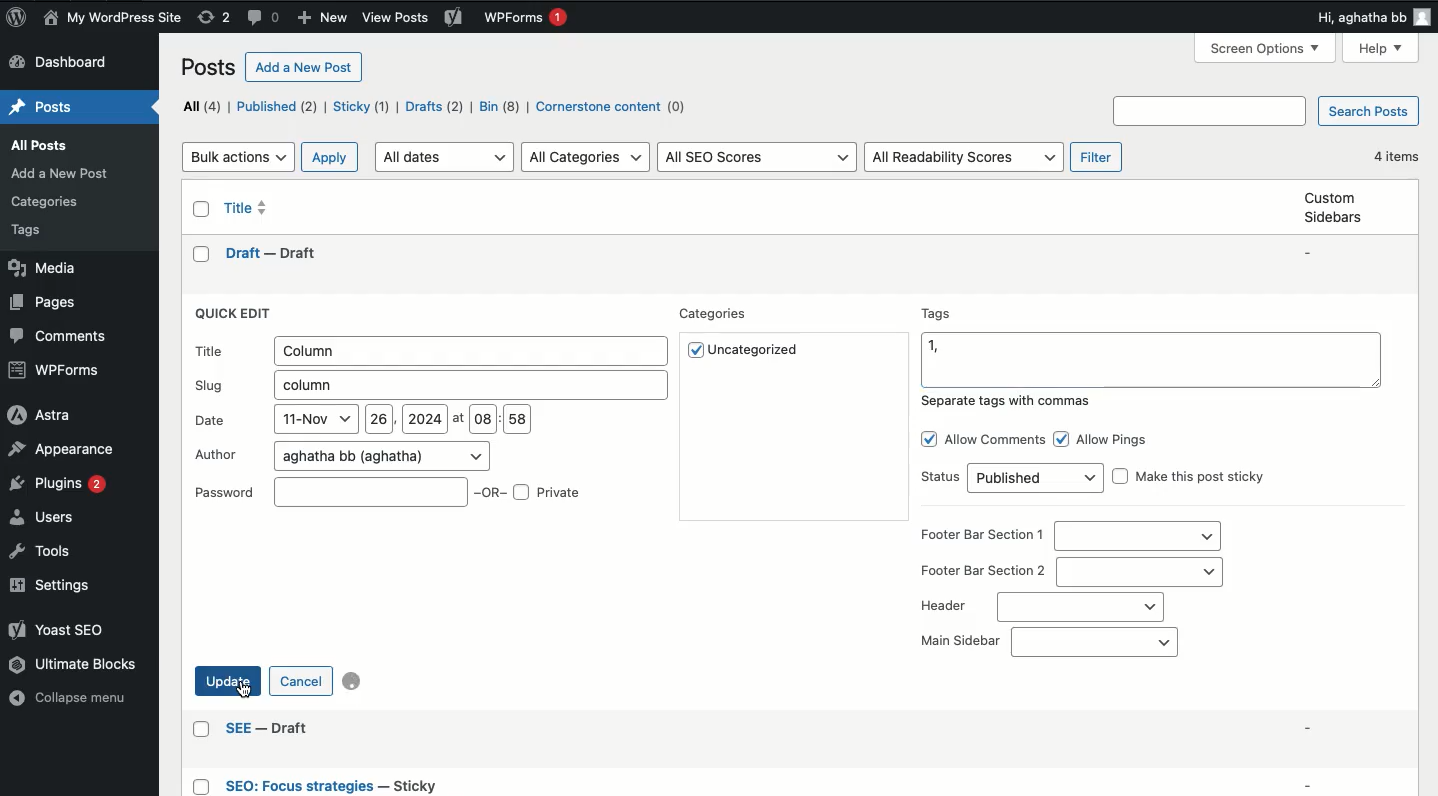 The height and width of the screenshot is (796, 1438). What do you see at coordinates (1044, 641) in the screenshot?
I see `Main sidebar` at bounding box center [1044, 641].